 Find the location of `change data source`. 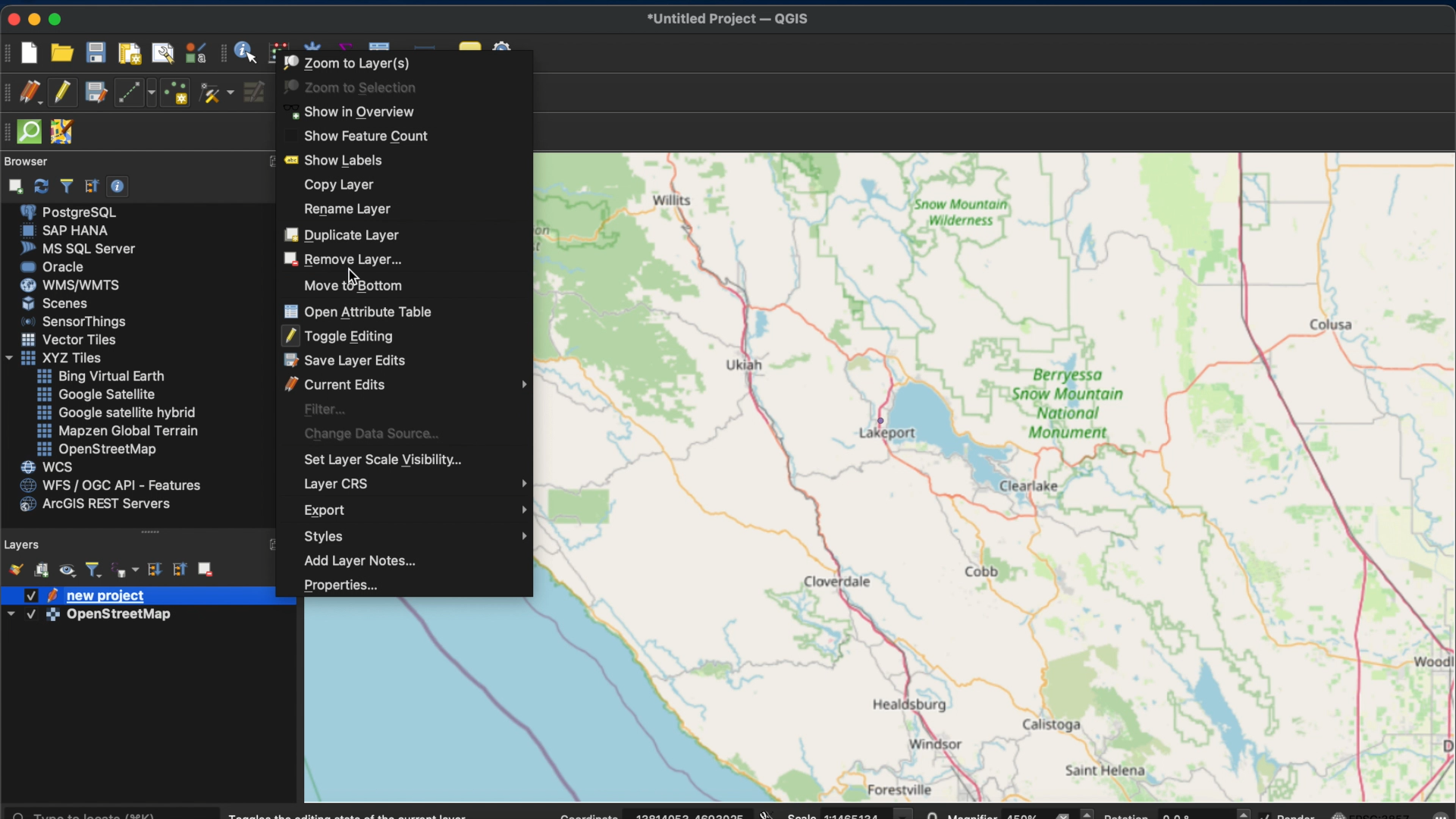

change data source is located at coordinates (367, 431).